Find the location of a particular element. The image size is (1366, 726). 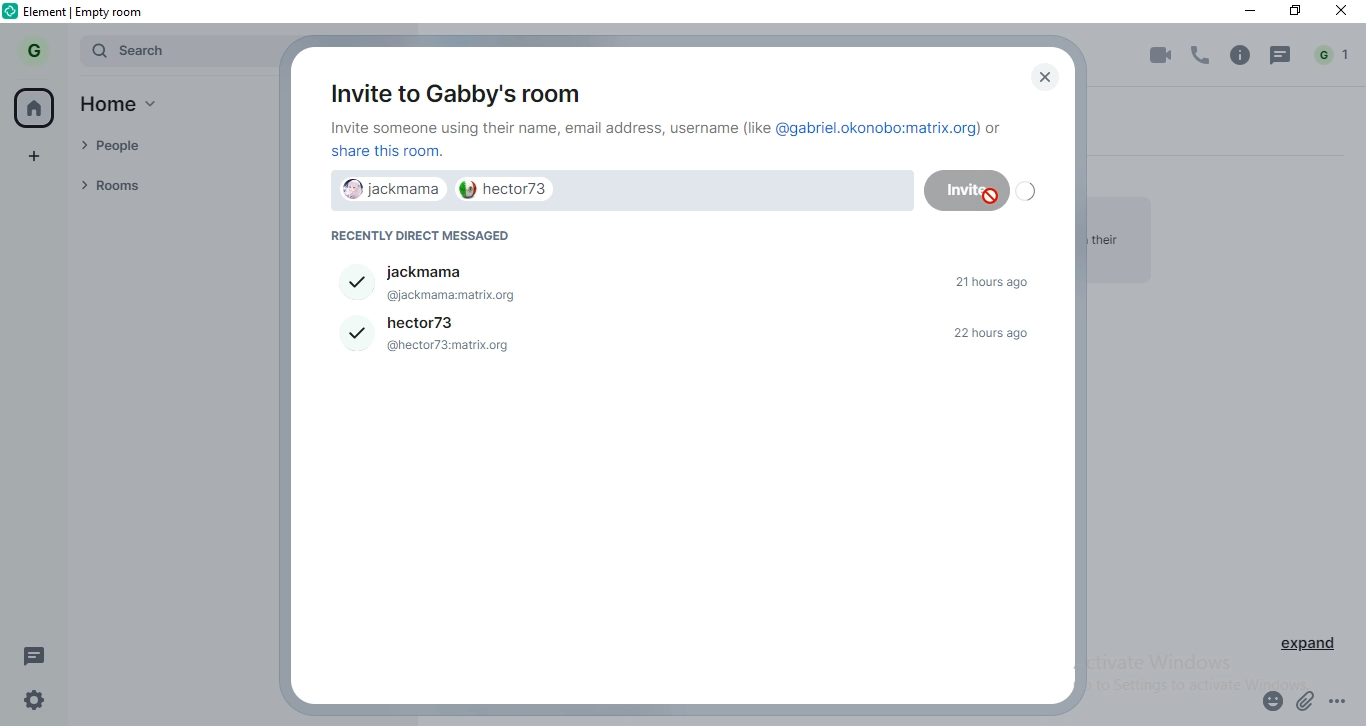

cursor is located at coordinates (991, 197).